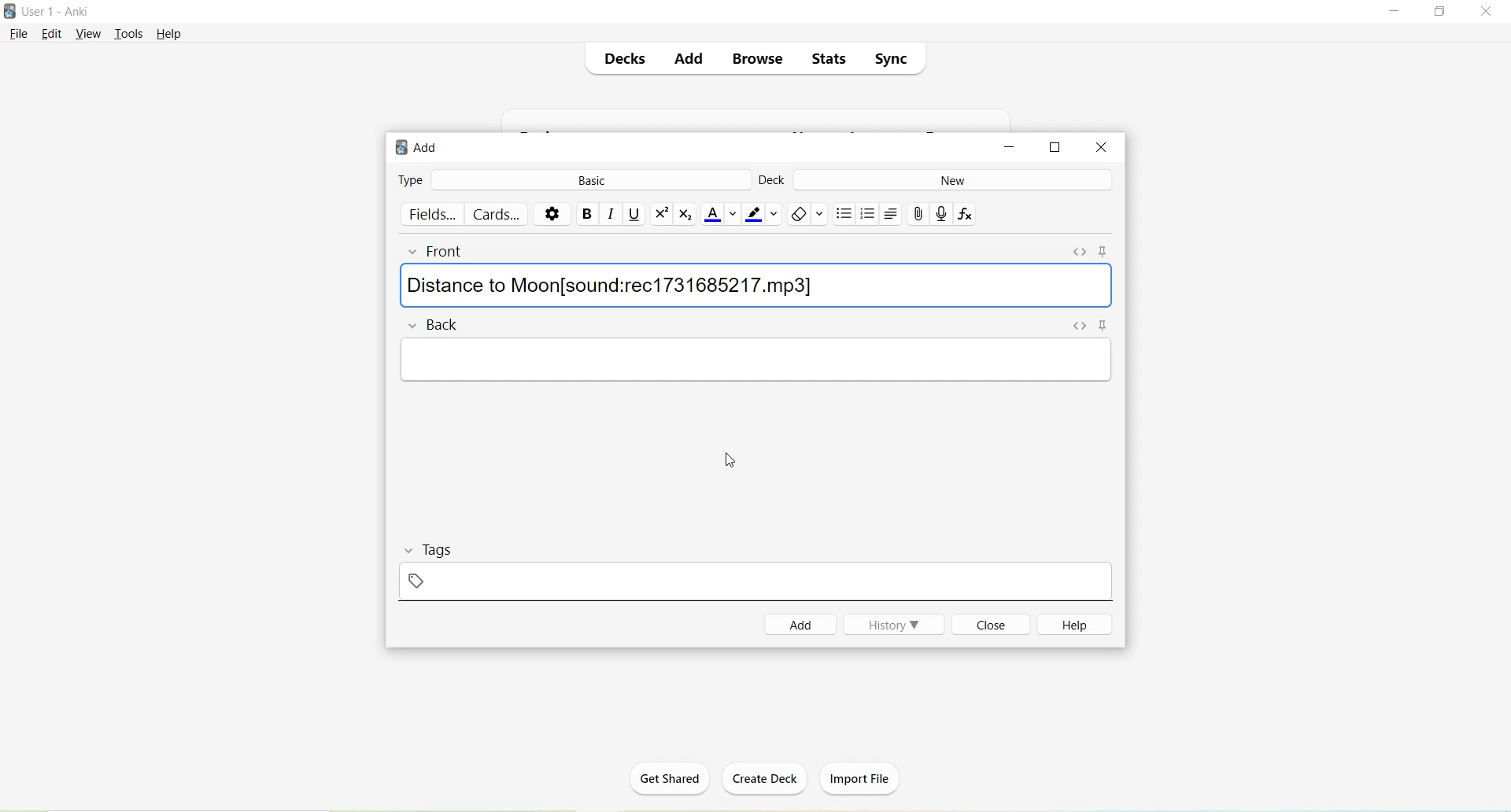 The image size is (1511, 812). Describe the element at coordinates (759, 359) in the screenshot. I see `Text Field` at that location.